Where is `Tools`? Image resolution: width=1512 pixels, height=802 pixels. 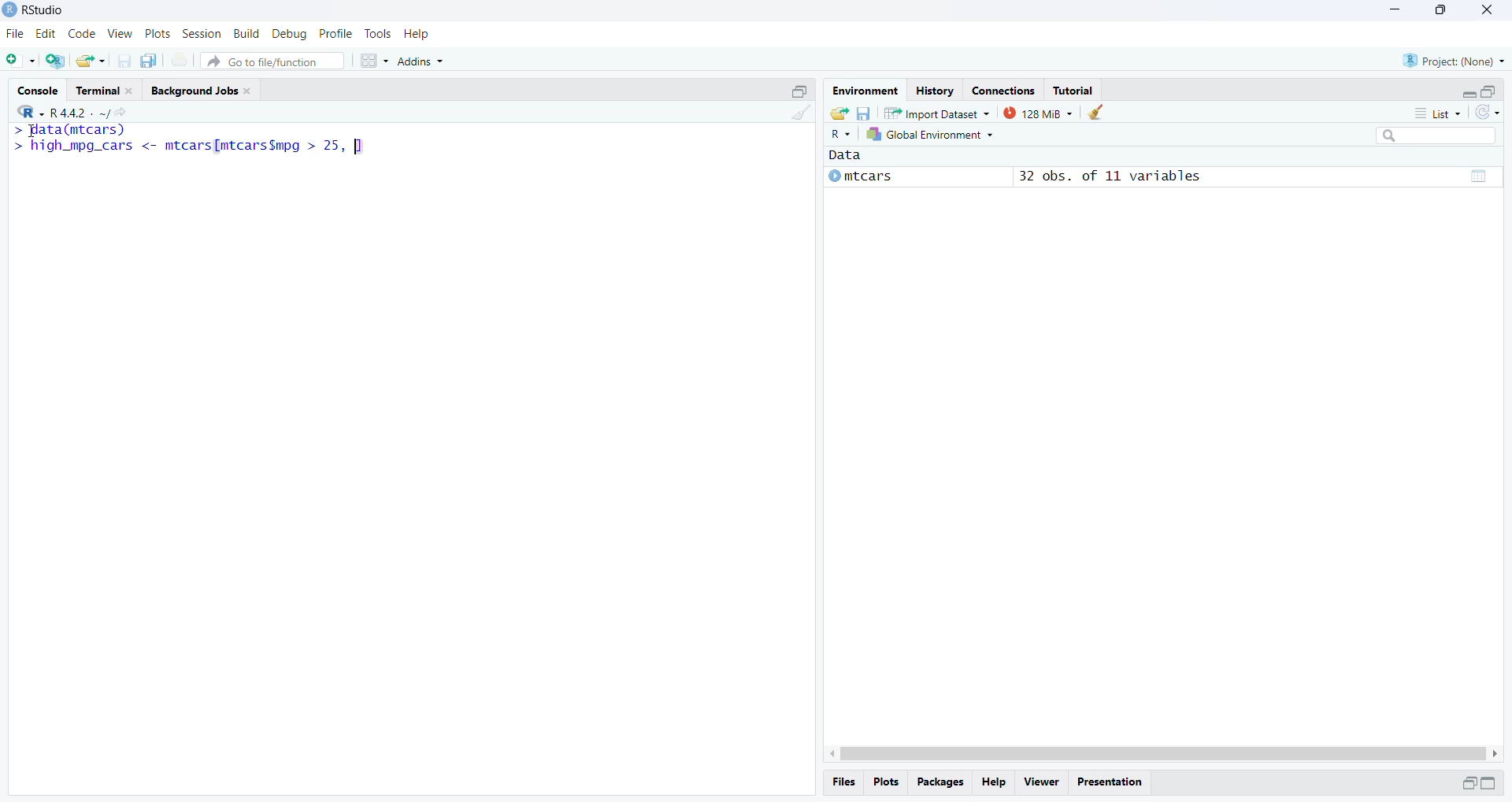
Tools is located at coordinates (376, 32).